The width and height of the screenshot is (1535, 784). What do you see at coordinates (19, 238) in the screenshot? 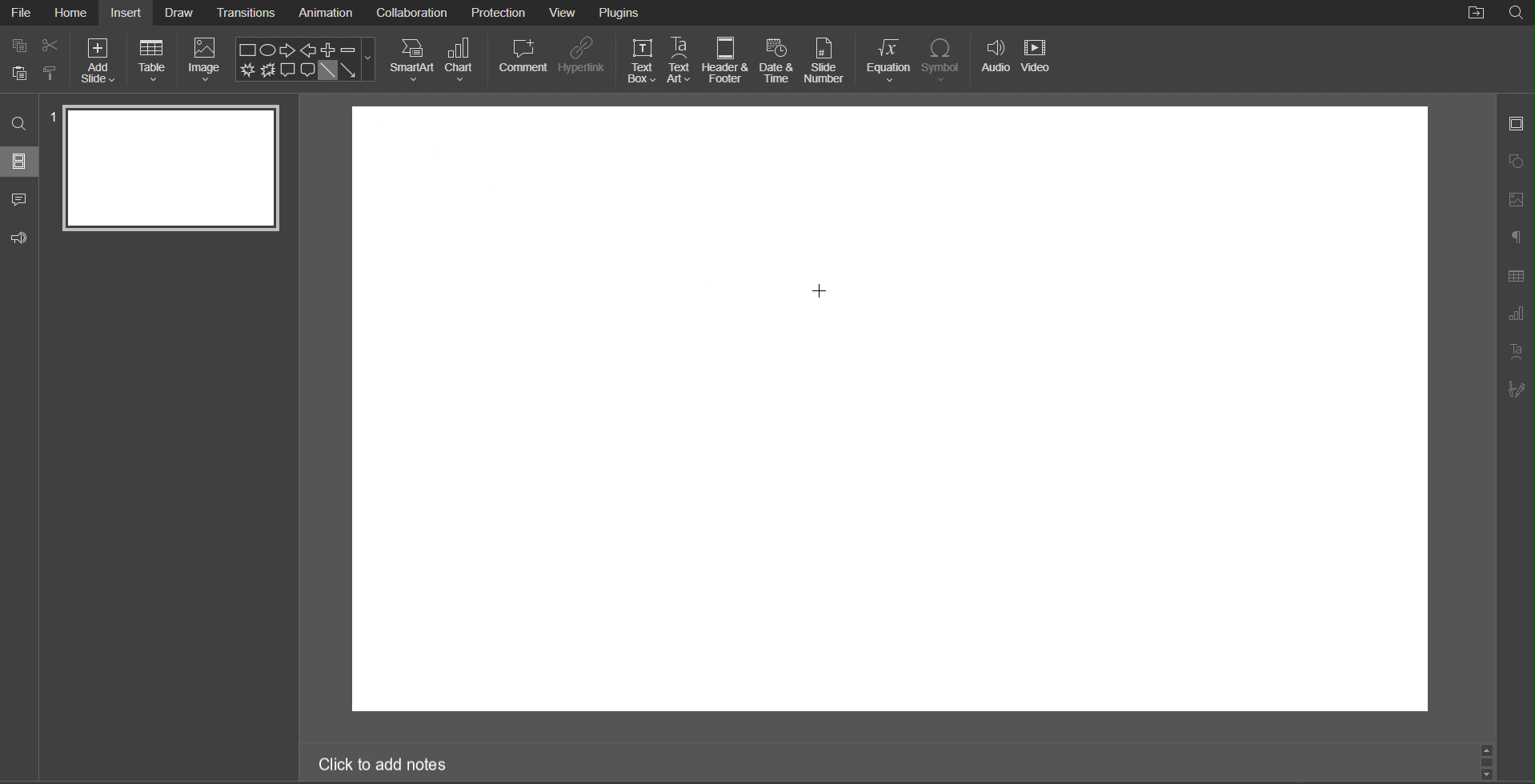
I see `Feedback and Support` at bounding box center [19, 238].